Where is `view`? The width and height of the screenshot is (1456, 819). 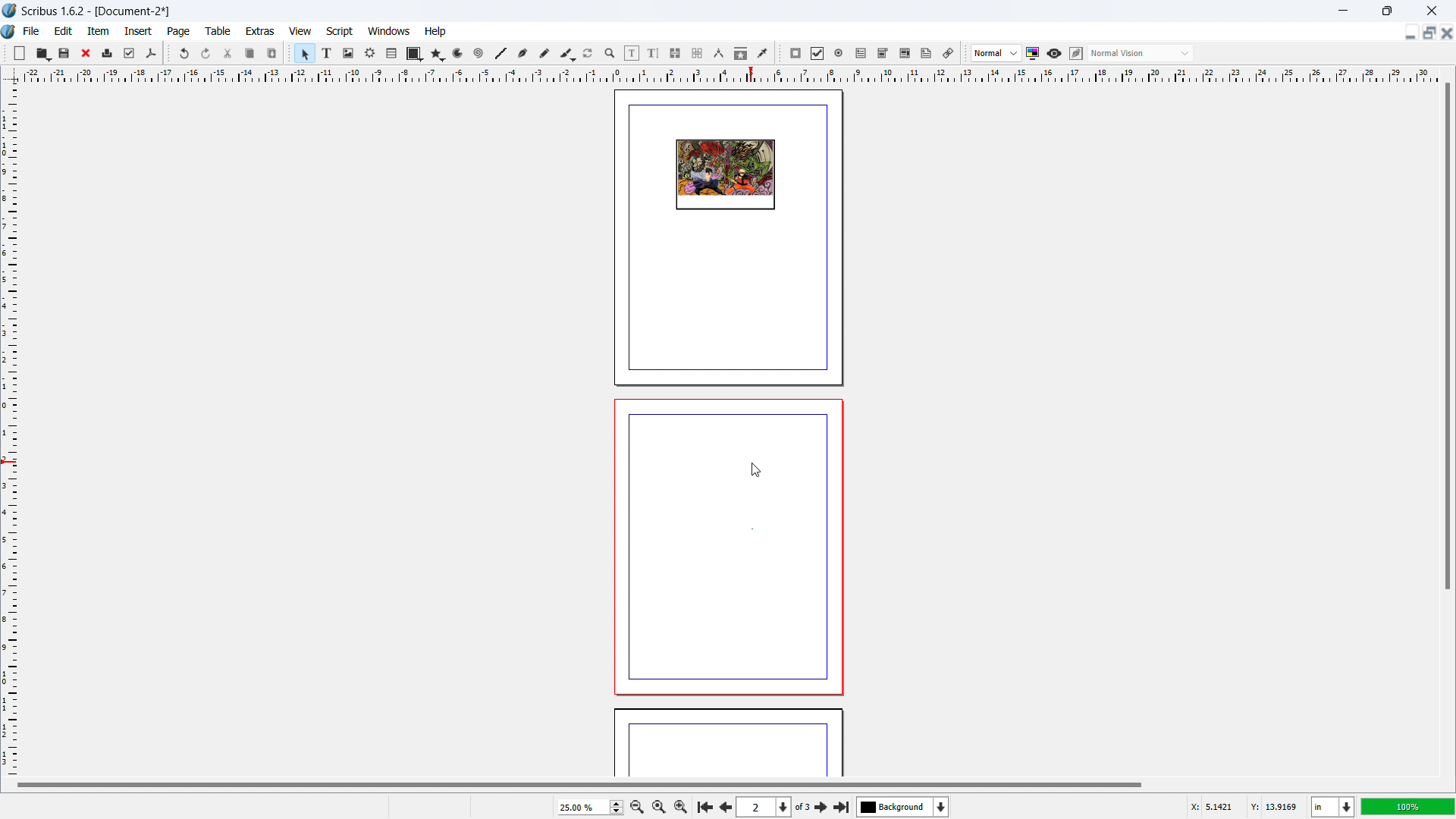 view is located at coordinates (300, 32).